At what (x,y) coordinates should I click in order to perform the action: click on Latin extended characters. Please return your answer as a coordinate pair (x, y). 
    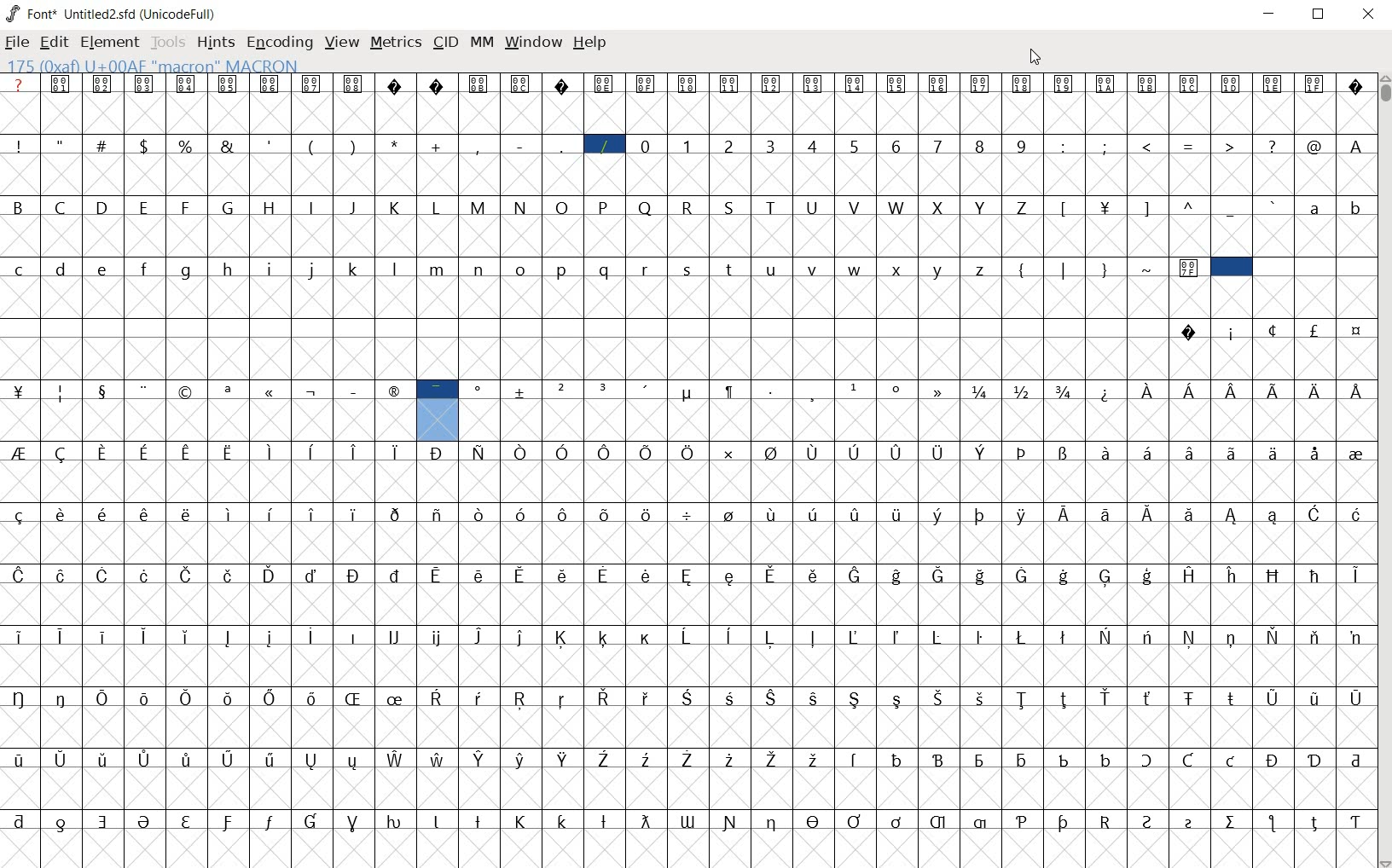
    Looking at the image, I should click on (354, 532).